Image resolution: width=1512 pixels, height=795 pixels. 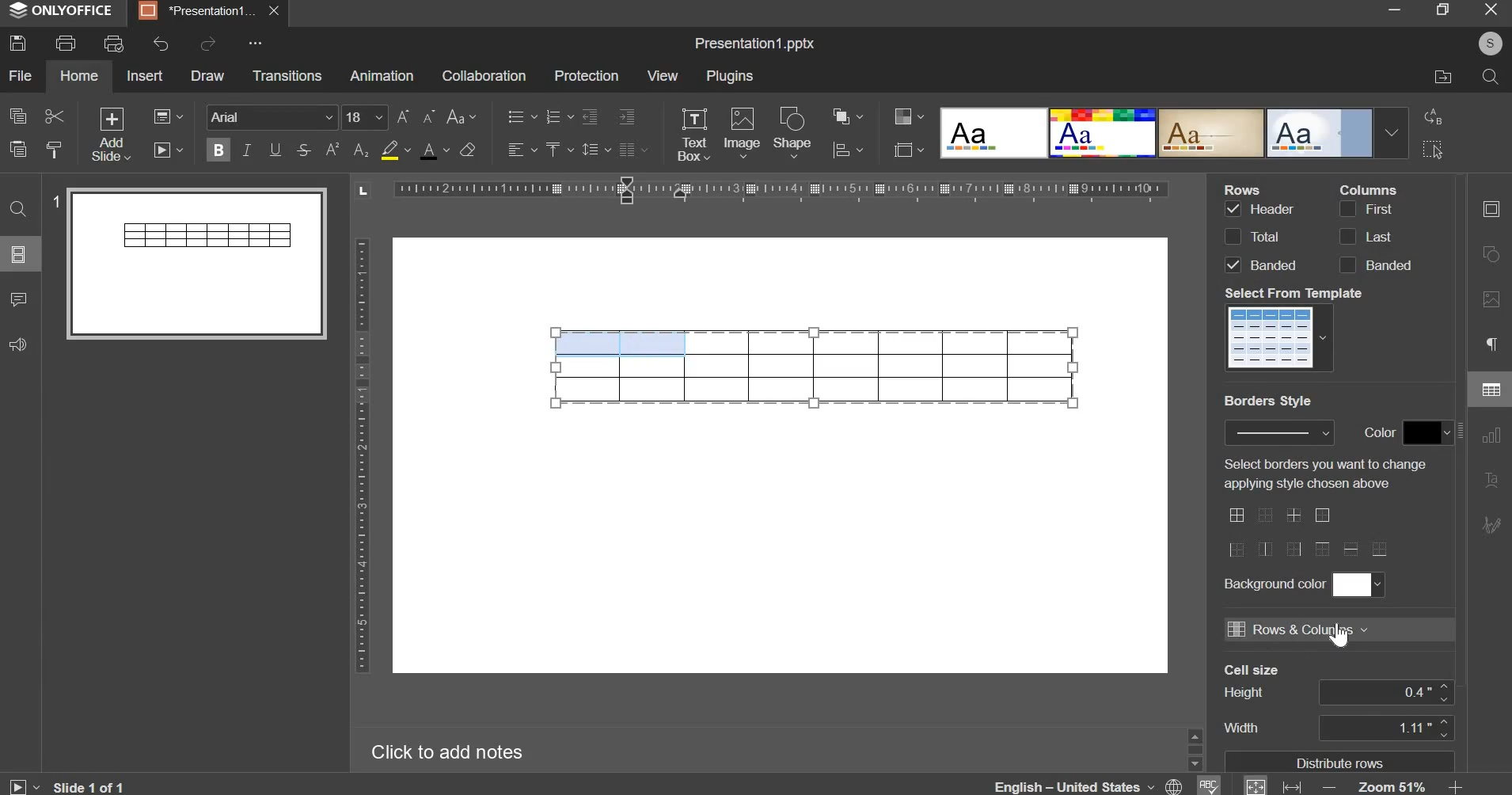 I want to click on view, so click(x=663, y=75).